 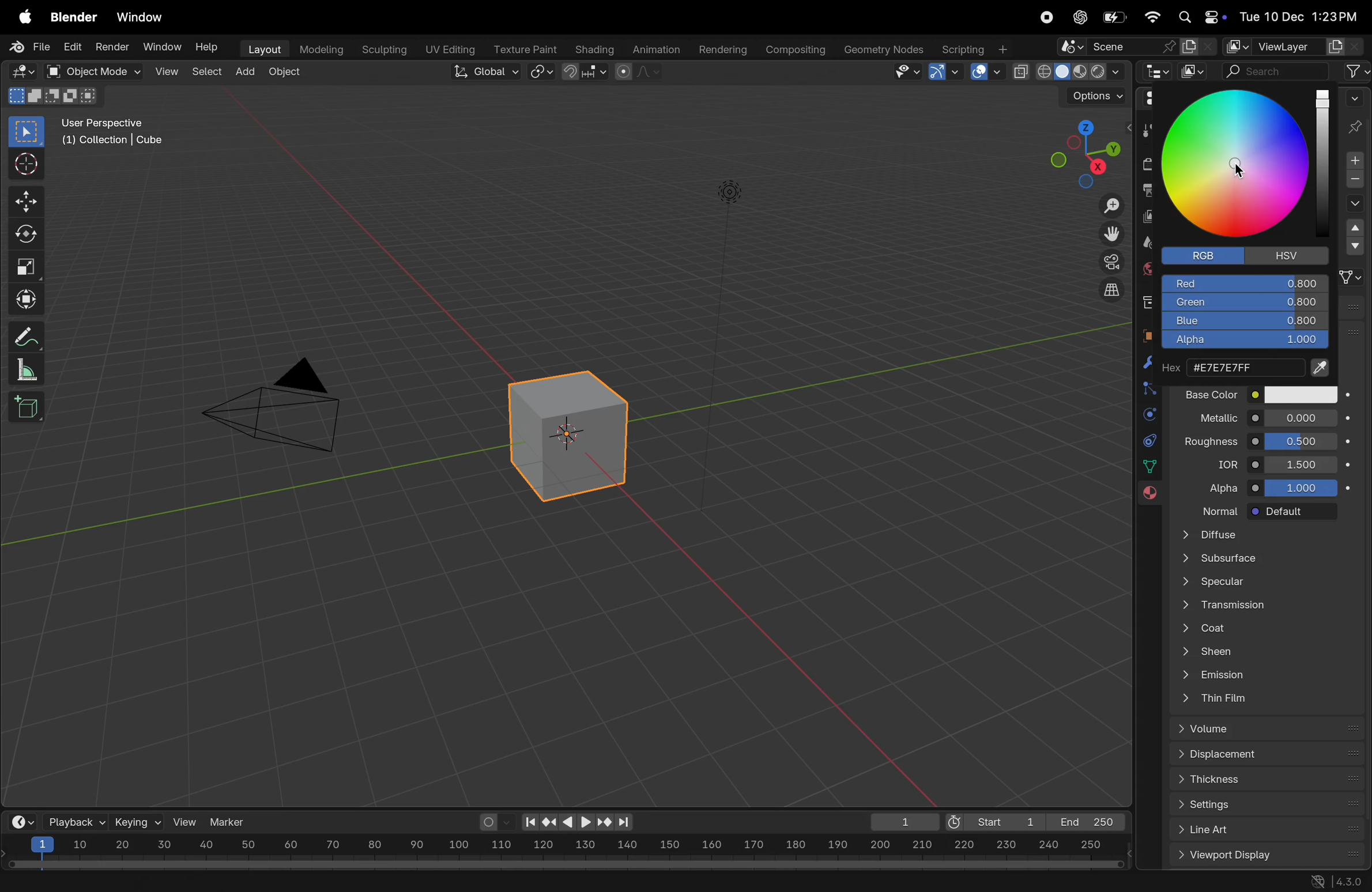 What do you see at coordinates (1273, 651) in the screenshot?
I see `sheen` at bounding box center [1273, 651].